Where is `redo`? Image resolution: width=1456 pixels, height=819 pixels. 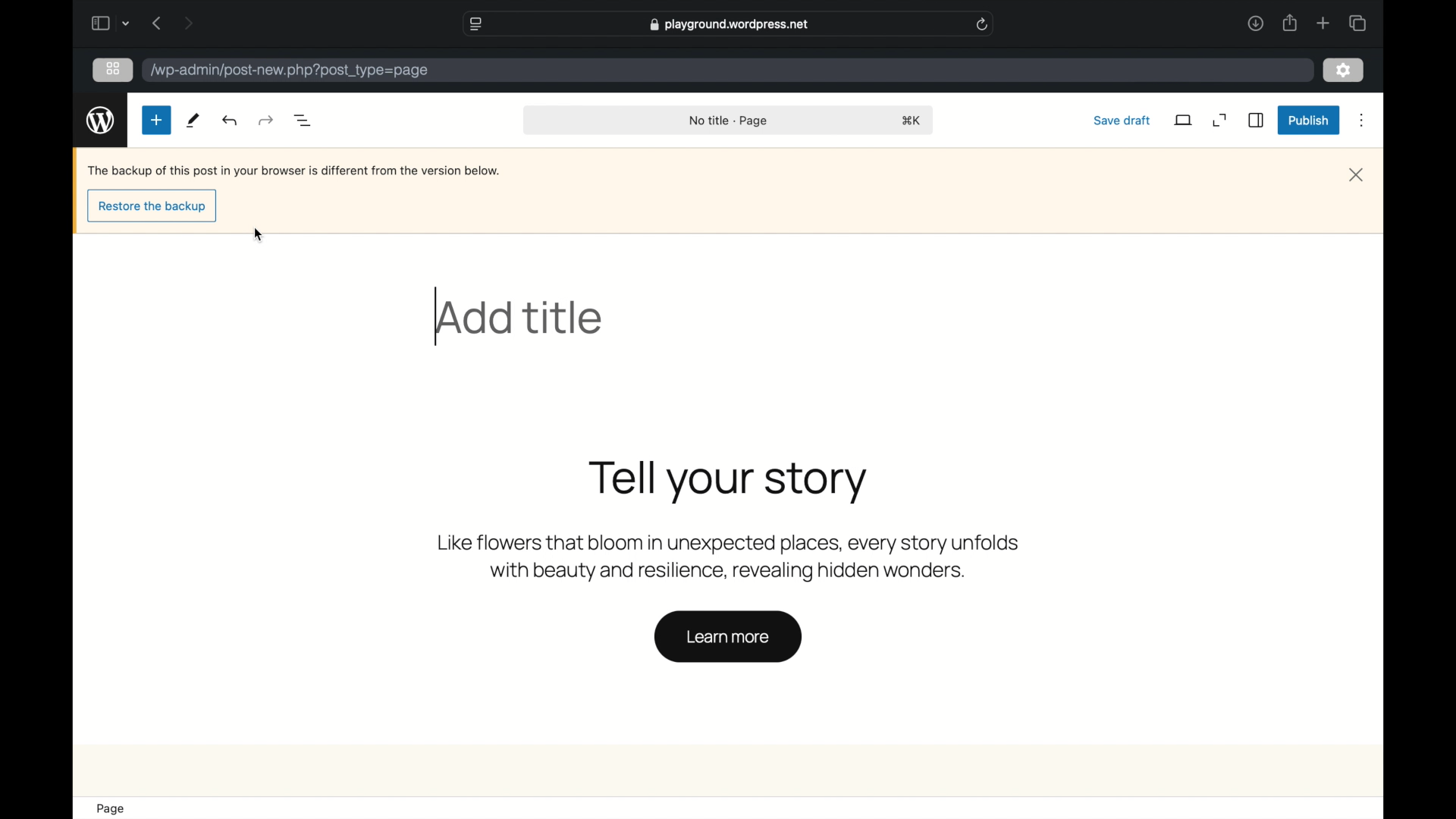 redo is located at coordinates (231, 120).